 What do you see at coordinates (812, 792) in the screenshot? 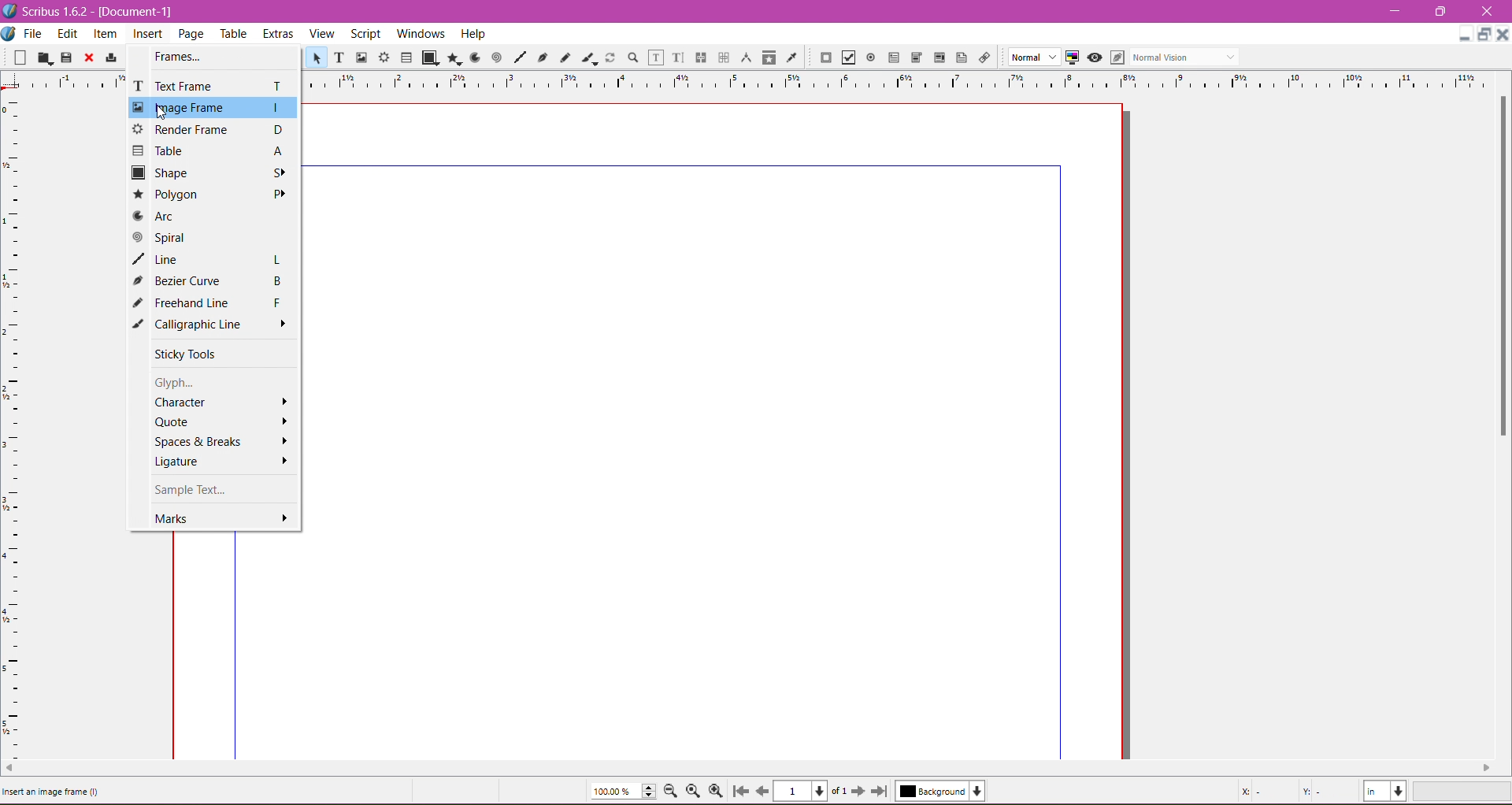
I see `Current Page` at bounding box center [812, 792].